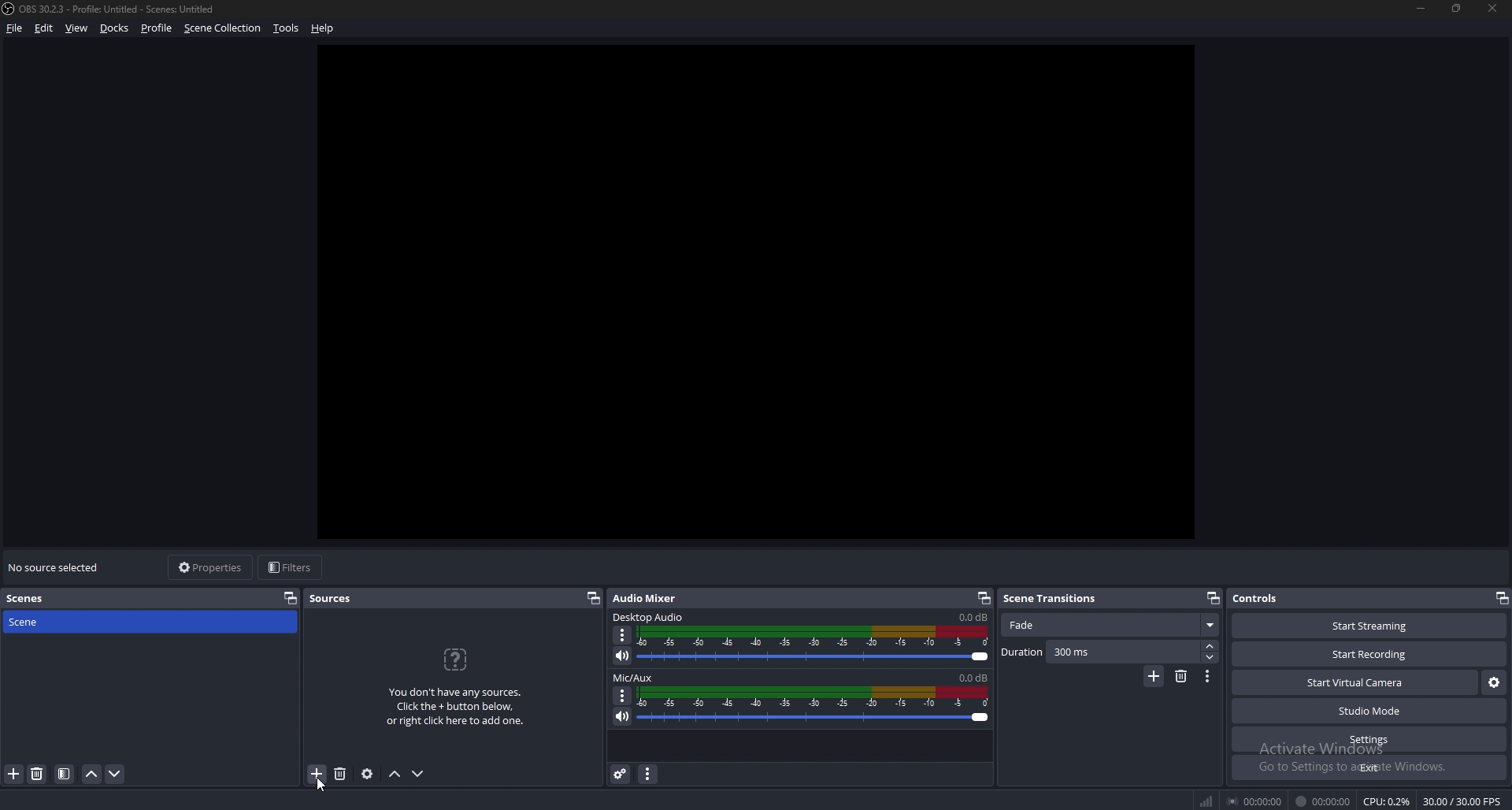 This screenshot has height=810, width=1512. What do you see at coordinates (1494, 8) in the screenshot?
I see `close` at bounding box center [1494, 8].